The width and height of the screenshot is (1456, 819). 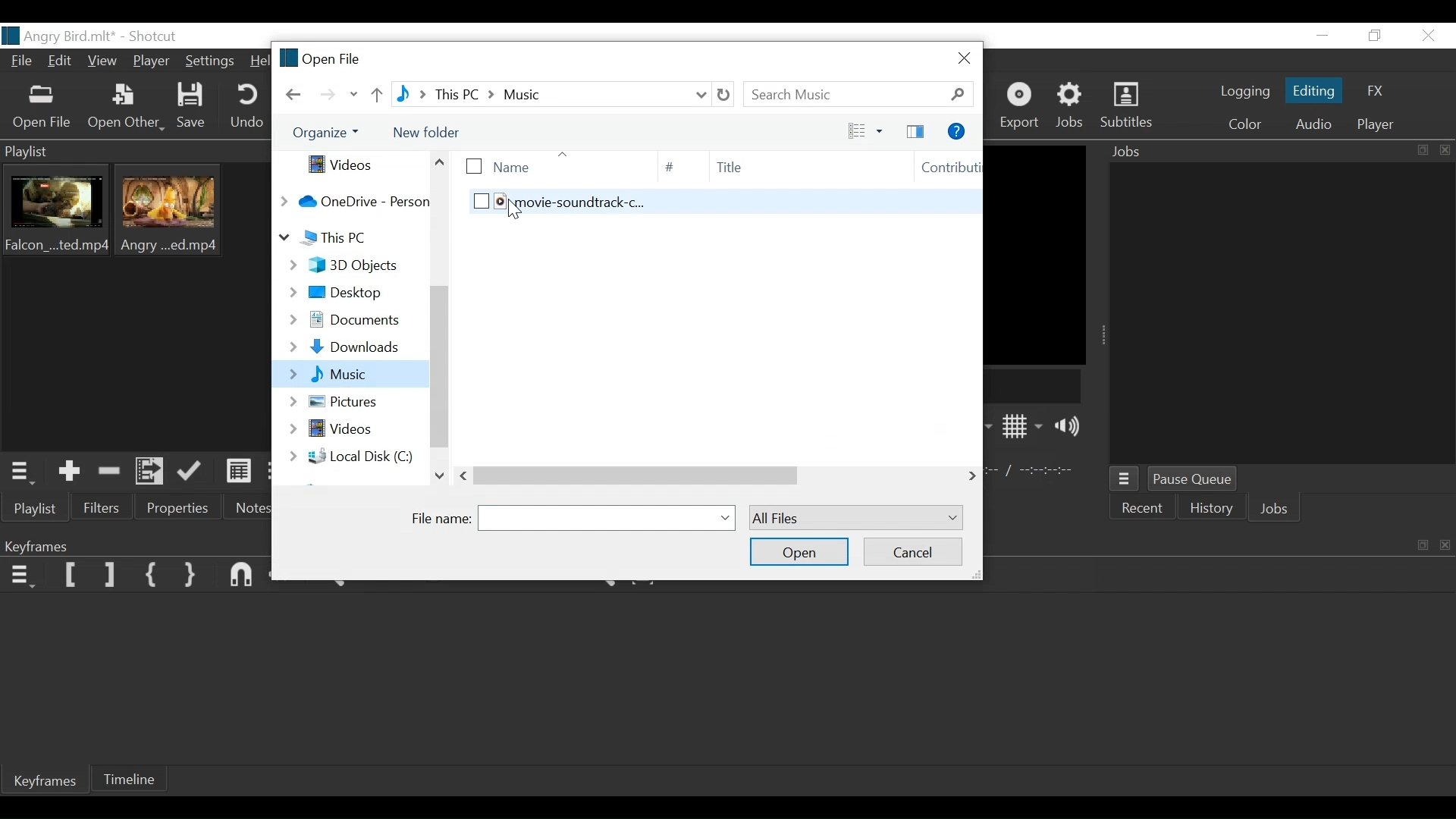 What do you see at coordinates (347, 321) in the screenshot?
I see `Documents` at bounding box center [347, 321].